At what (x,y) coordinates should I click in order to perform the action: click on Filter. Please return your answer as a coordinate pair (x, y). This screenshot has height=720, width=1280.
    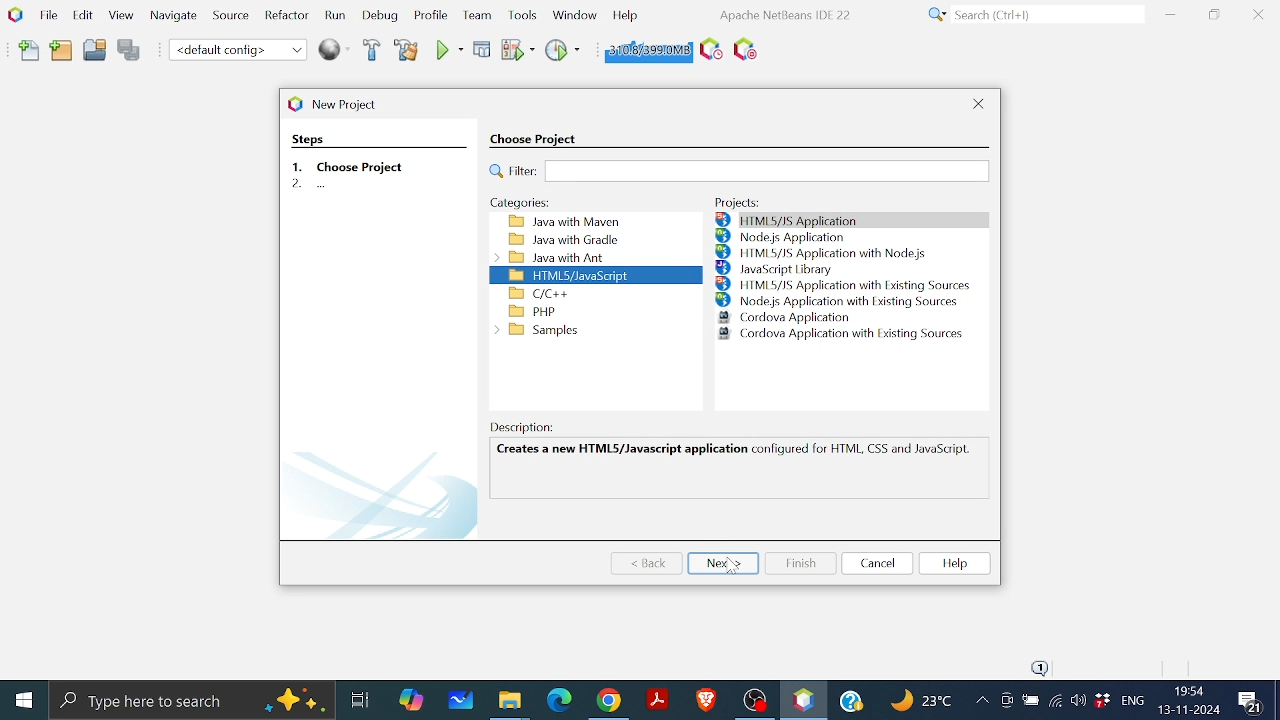
    Looking at the image, I should click on (737, 170).